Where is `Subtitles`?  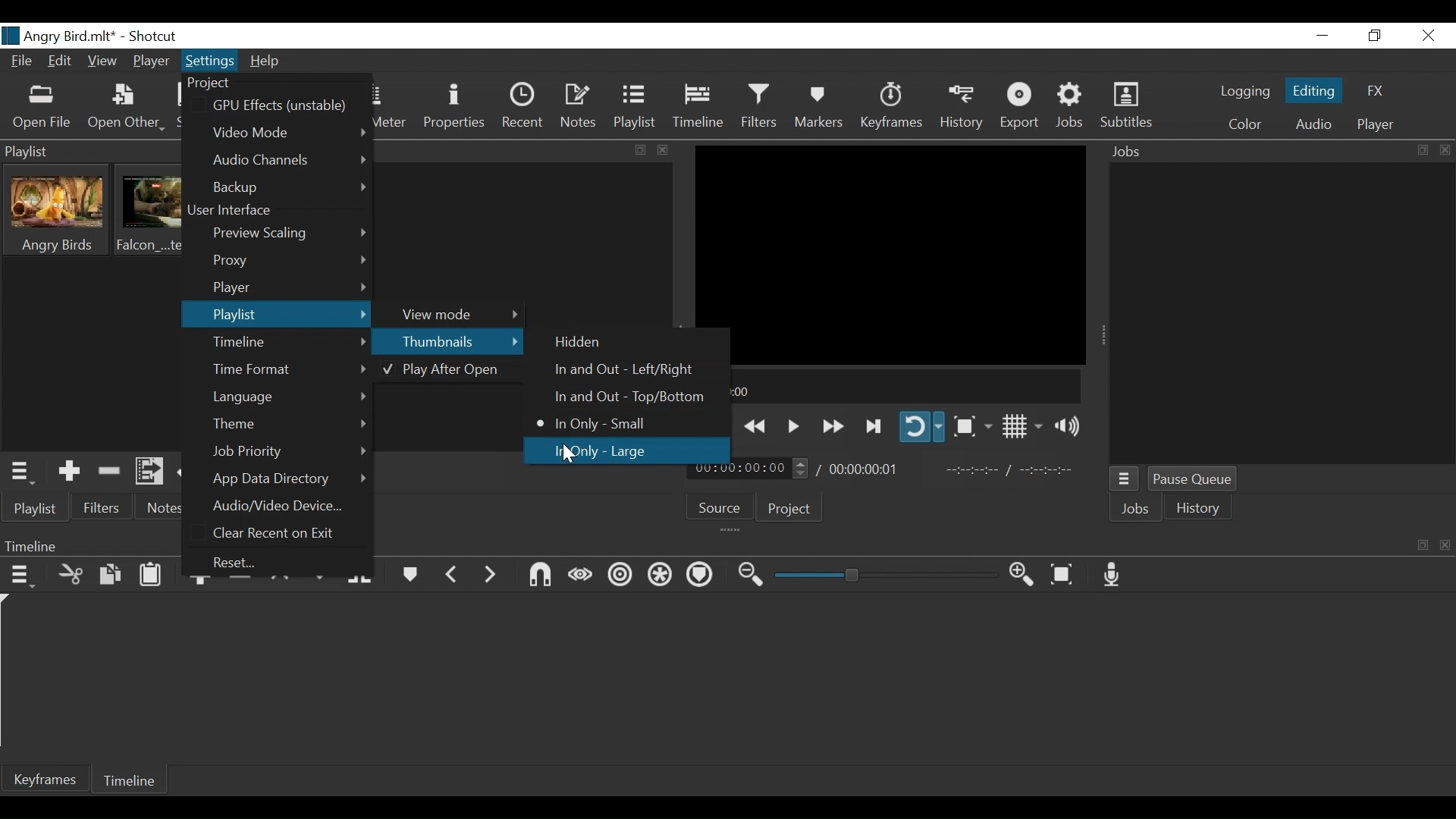 Subtitles is located at coordinates (1127, 106).